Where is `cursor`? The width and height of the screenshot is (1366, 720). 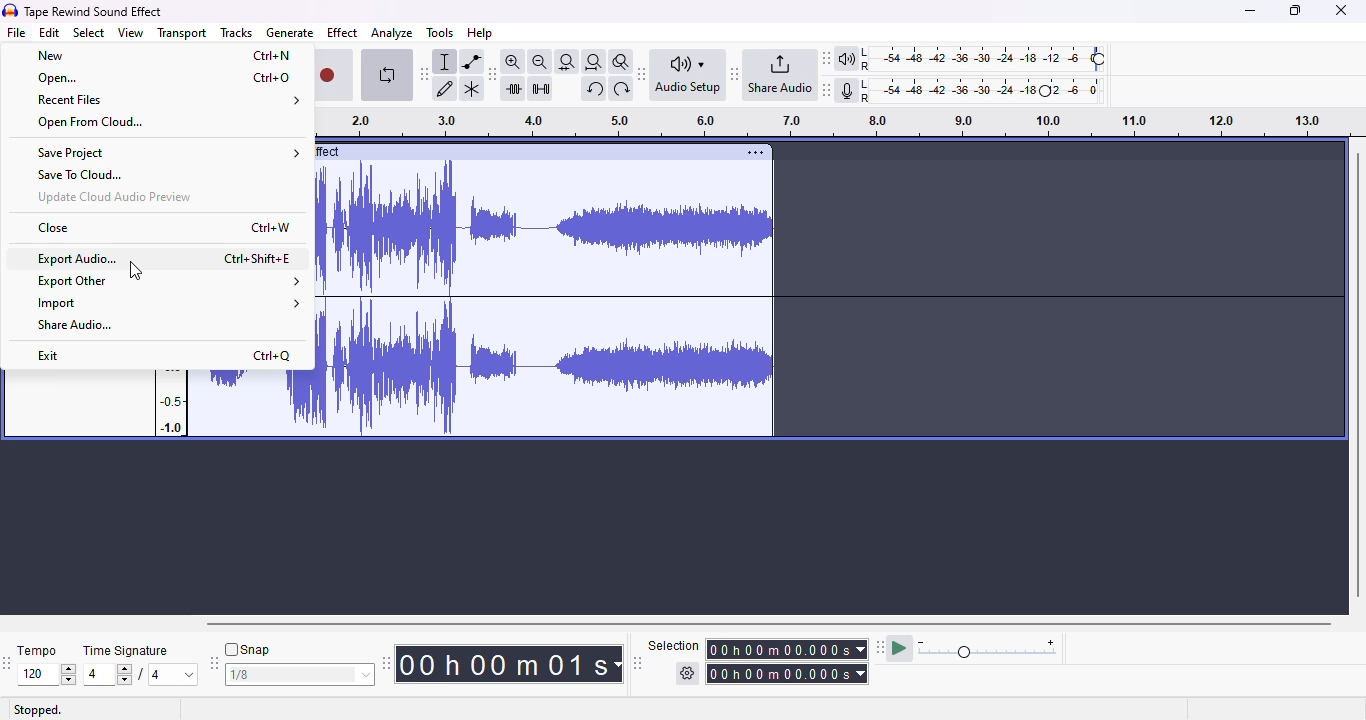 cursor is located at coordinates (137, 270).